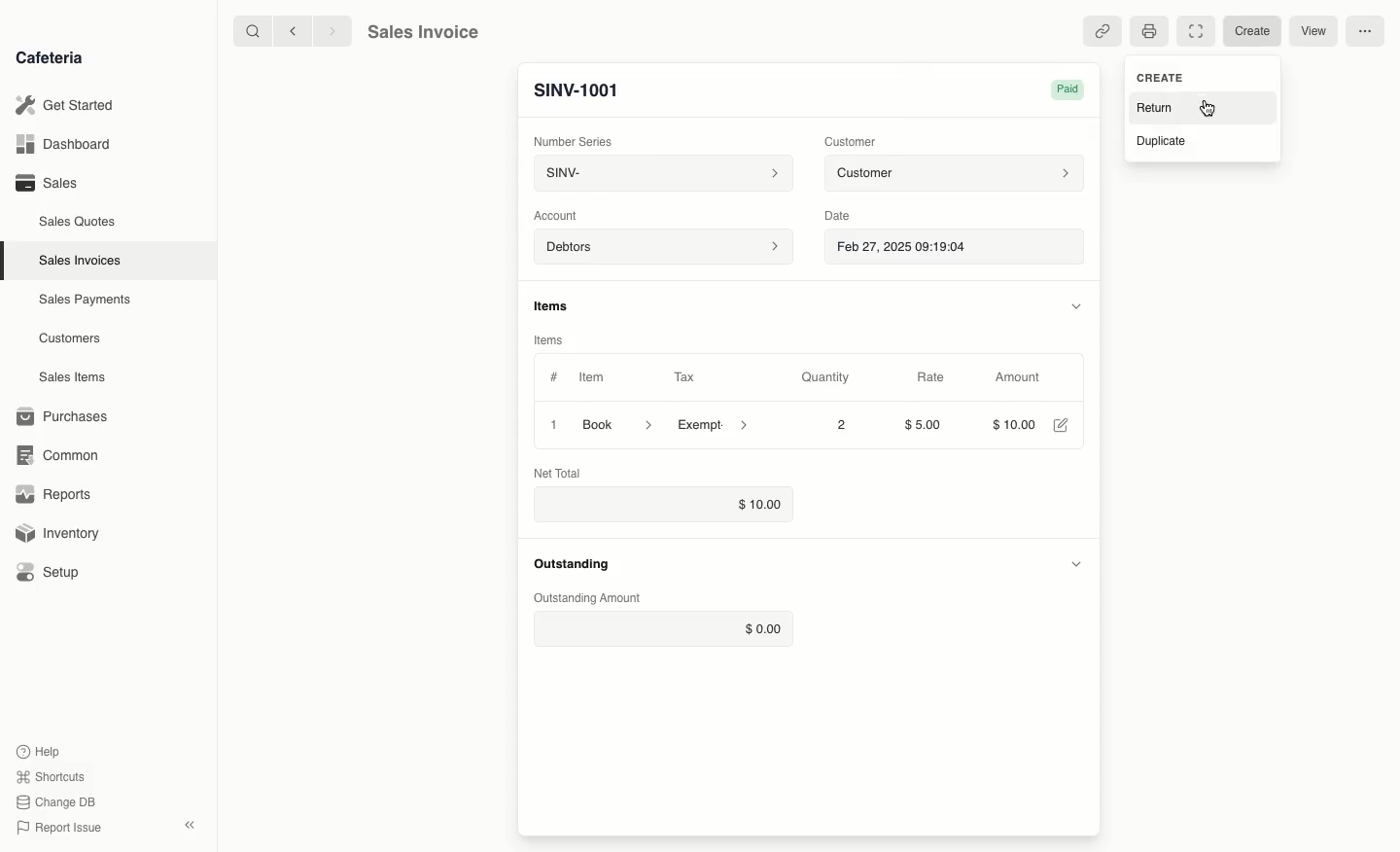  Describe the element at coordinates (65, 104) in the screenshot. I see `Get Started` at that location.